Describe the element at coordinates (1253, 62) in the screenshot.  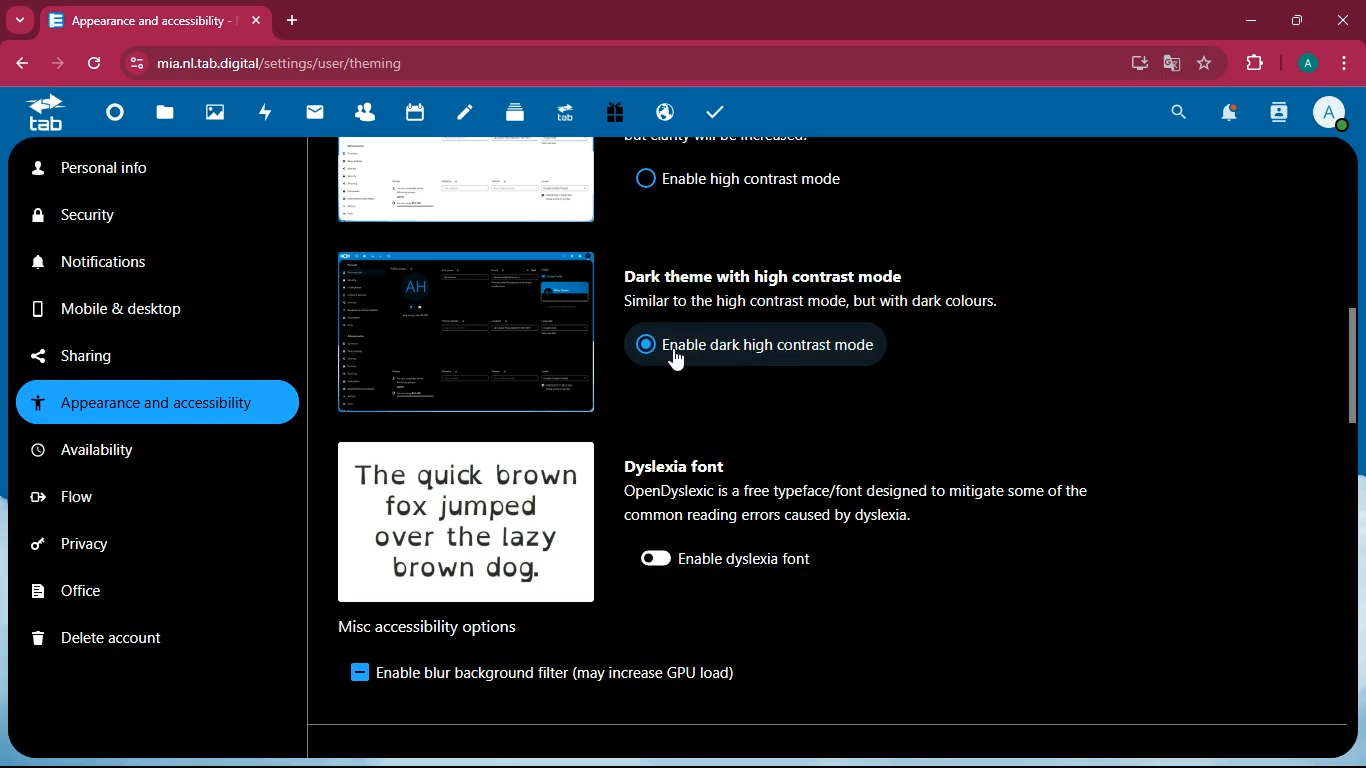
I see `extensions` at that location.